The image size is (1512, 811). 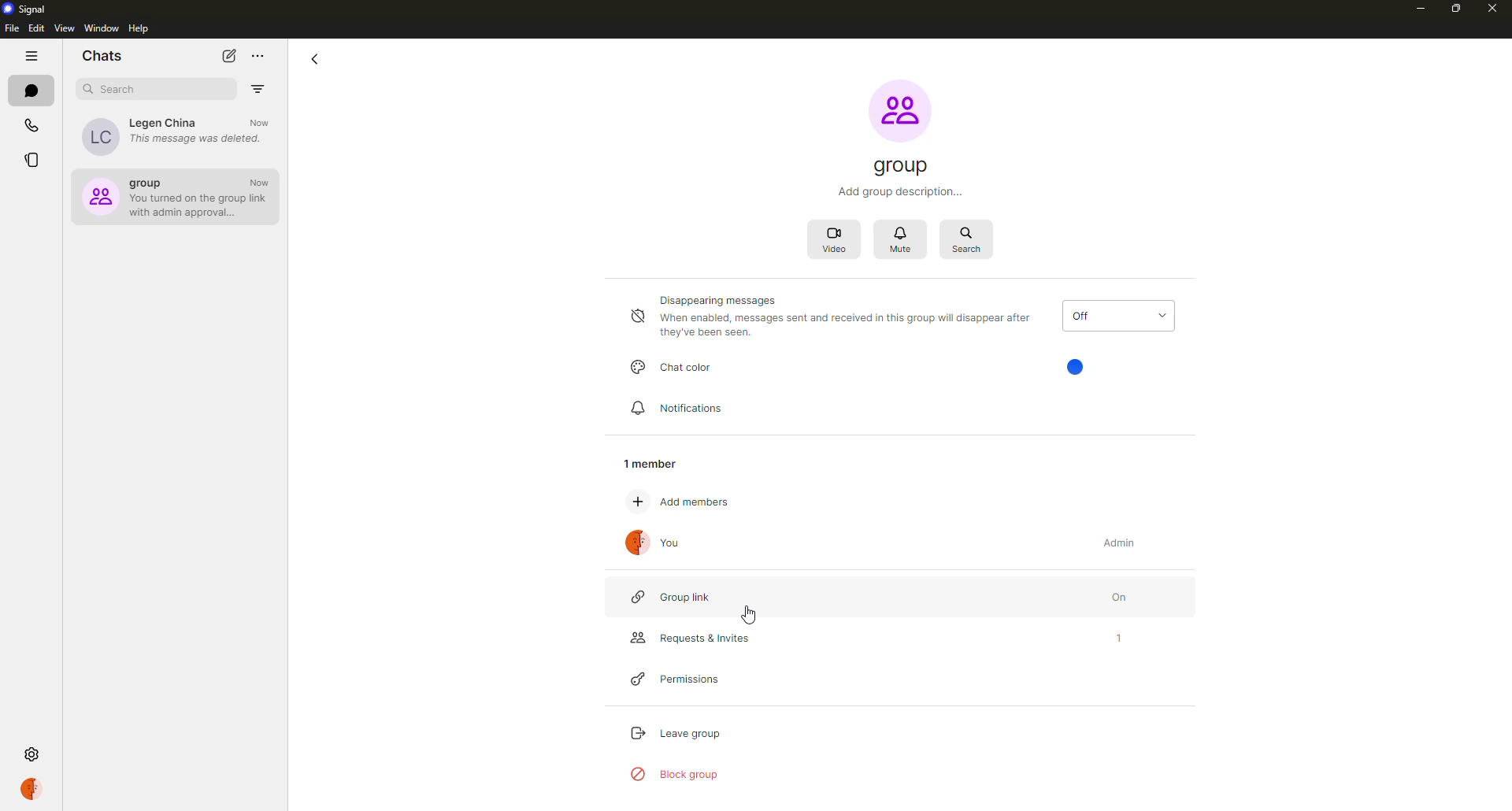 I want to click on search, so click(x=969, y=239).